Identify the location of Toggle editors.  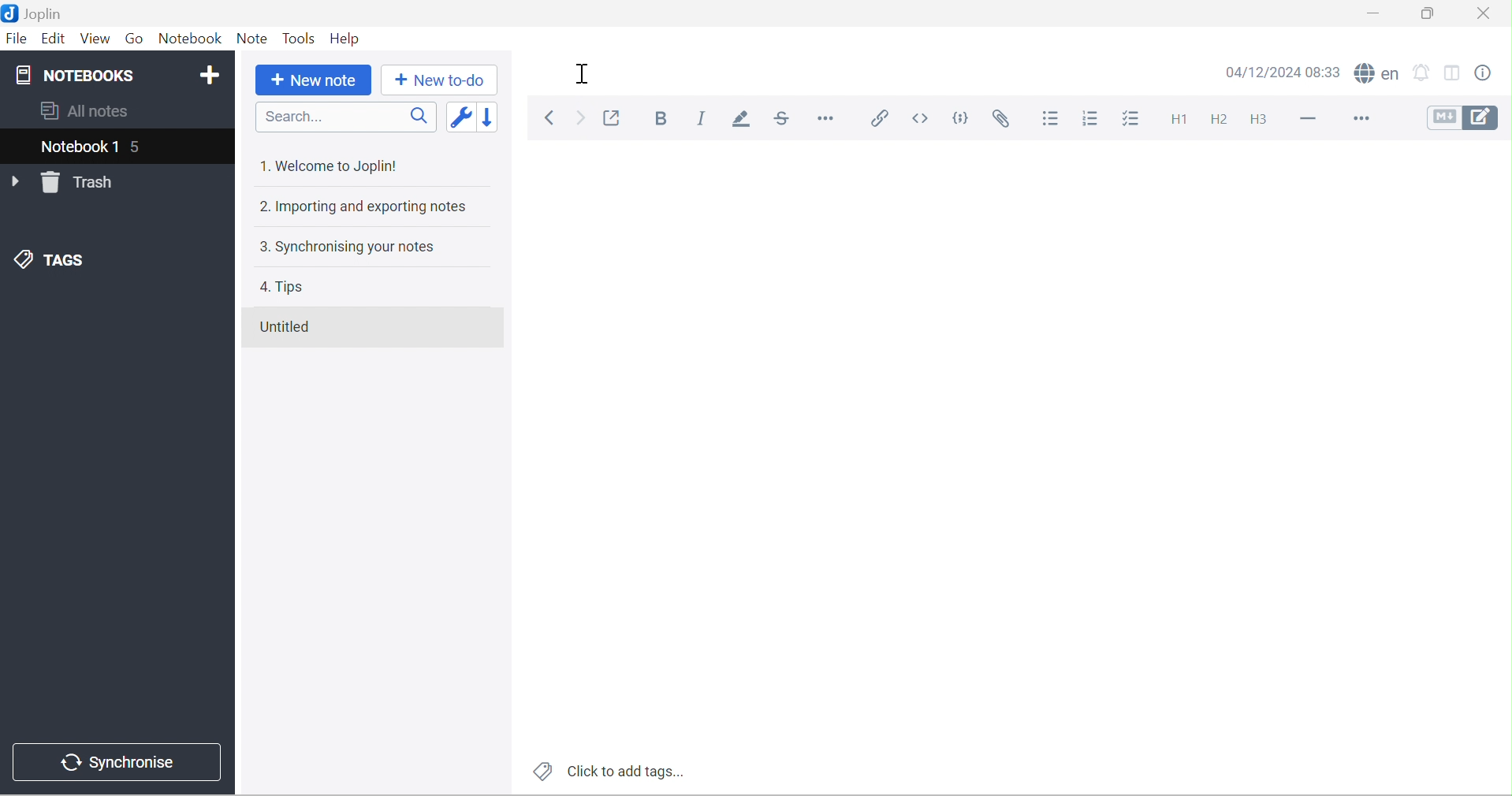
(1462, 117).